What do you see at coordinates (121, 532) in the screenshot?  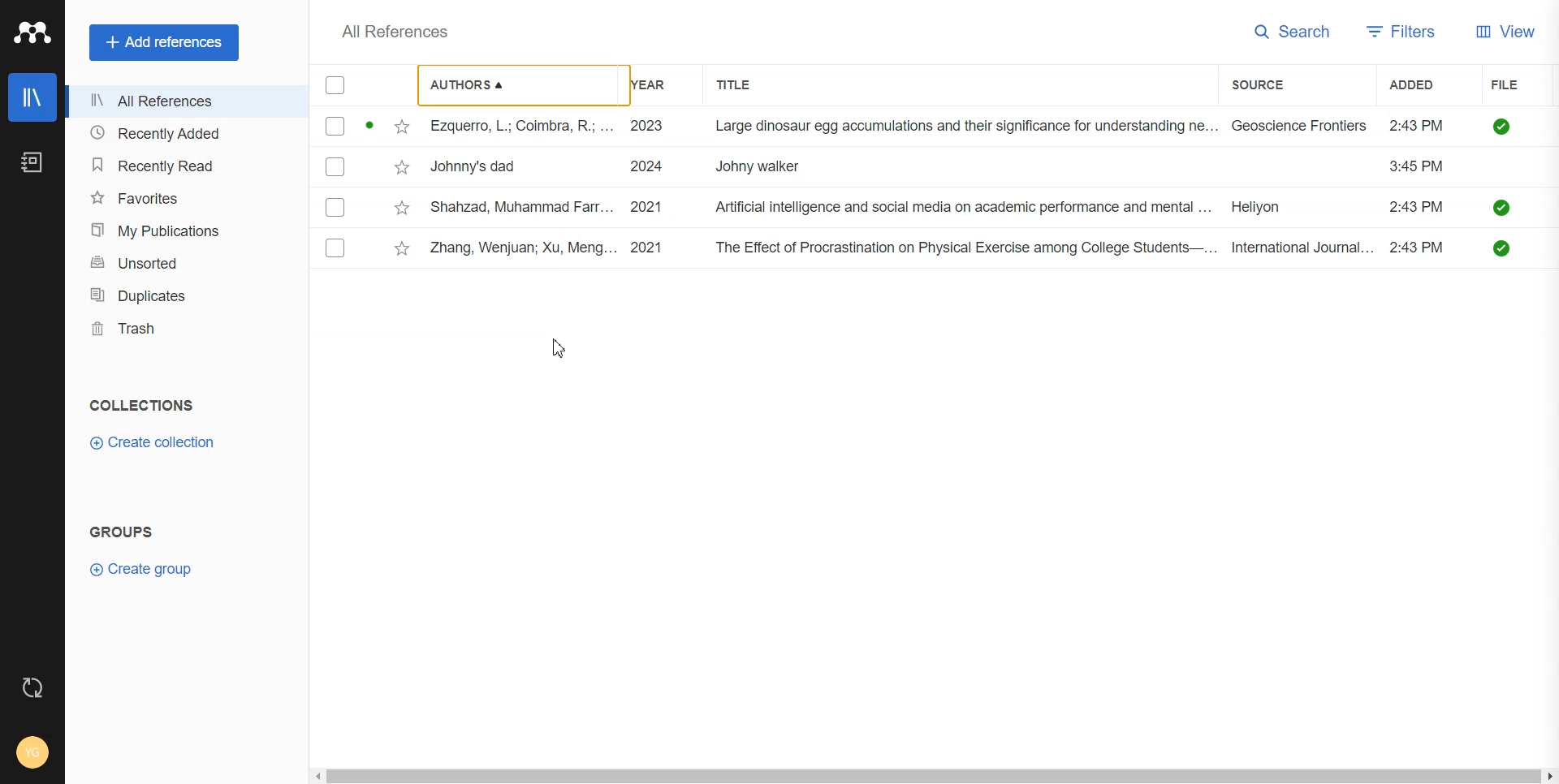 I see `Text` at bounding box center [121, 532].